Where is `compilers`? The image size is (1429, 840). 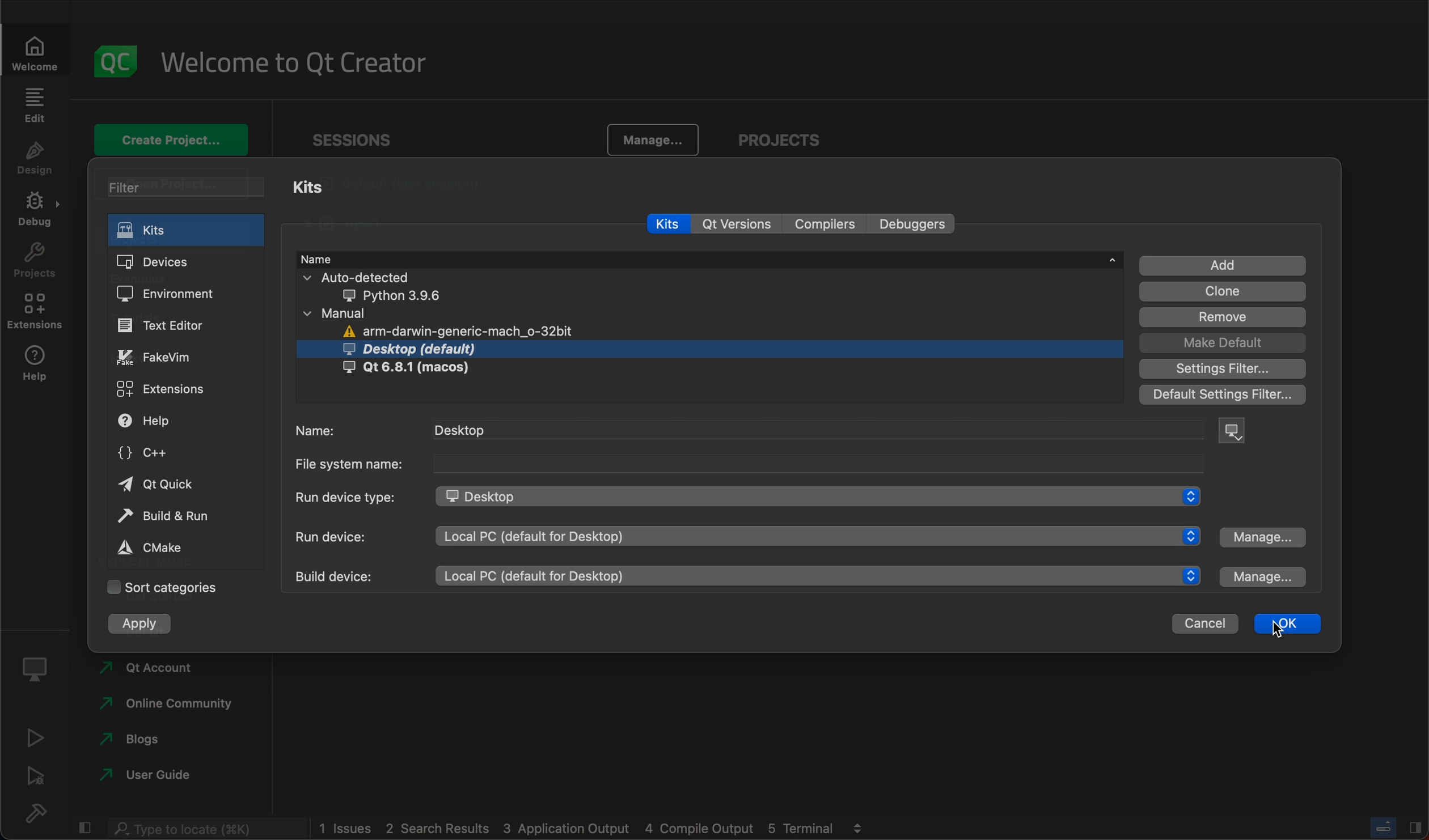
compilers is located at coordinates (827, 224).